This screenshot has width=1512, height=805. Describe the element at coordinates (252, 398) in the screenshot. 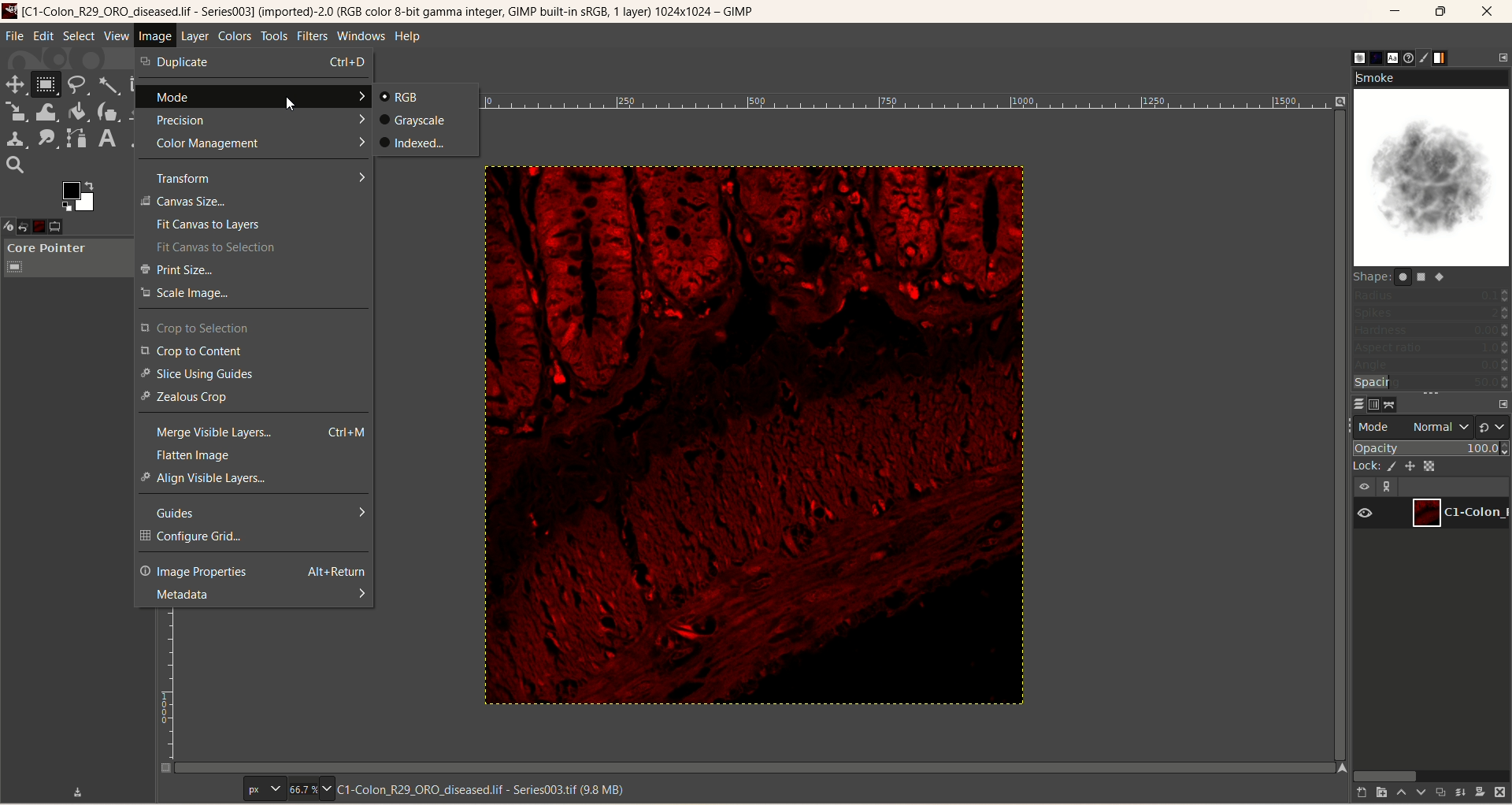

I see `zealous crop` at that location.